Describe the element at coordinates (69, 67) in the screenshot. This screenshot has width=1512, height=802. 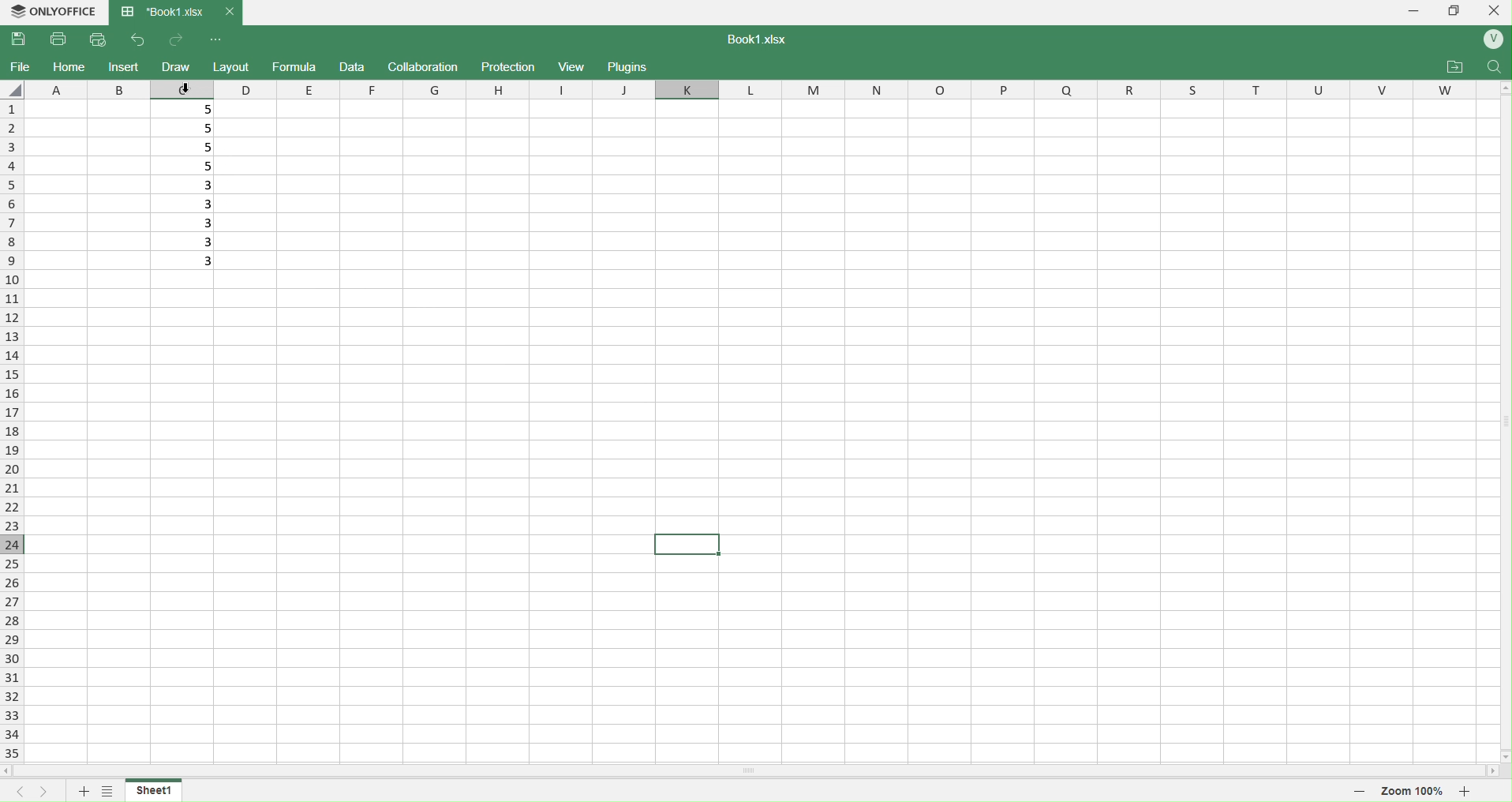
I see `Home` at that location.